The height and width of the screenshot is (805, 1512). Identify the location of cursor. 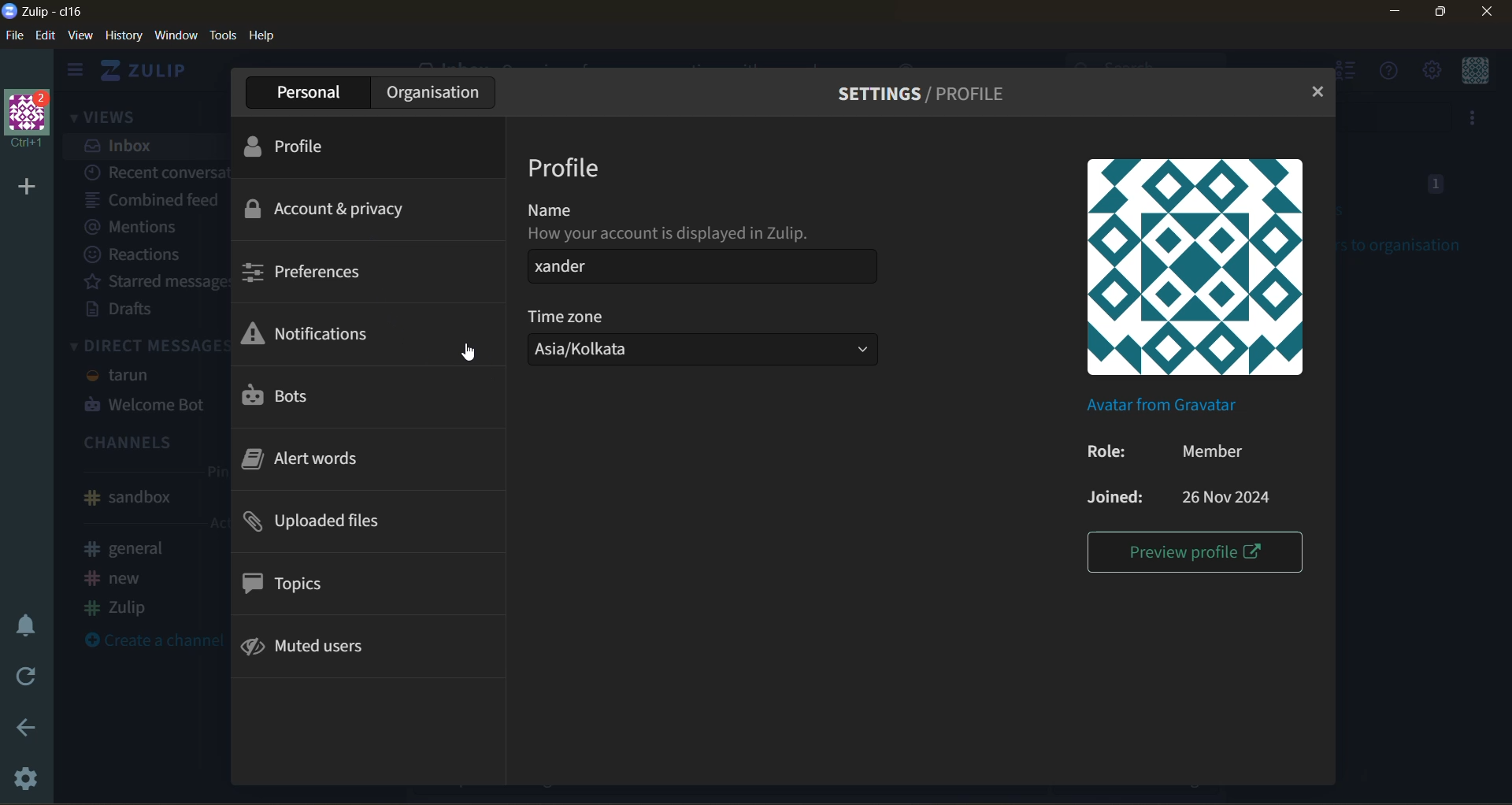
(472, 352).